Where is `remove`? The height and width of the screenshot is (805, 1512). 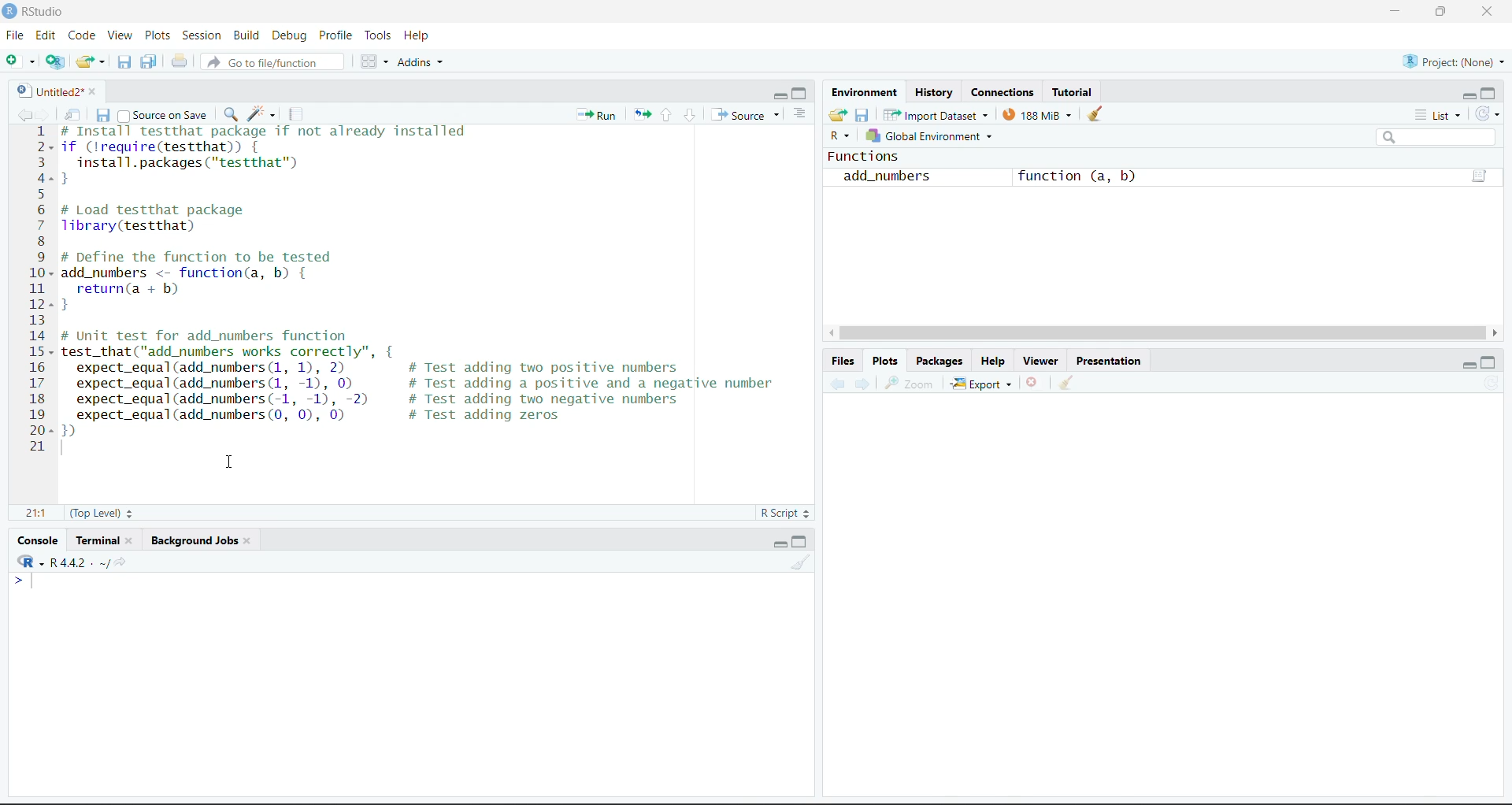 remove is located at coordinates (1032, 381).